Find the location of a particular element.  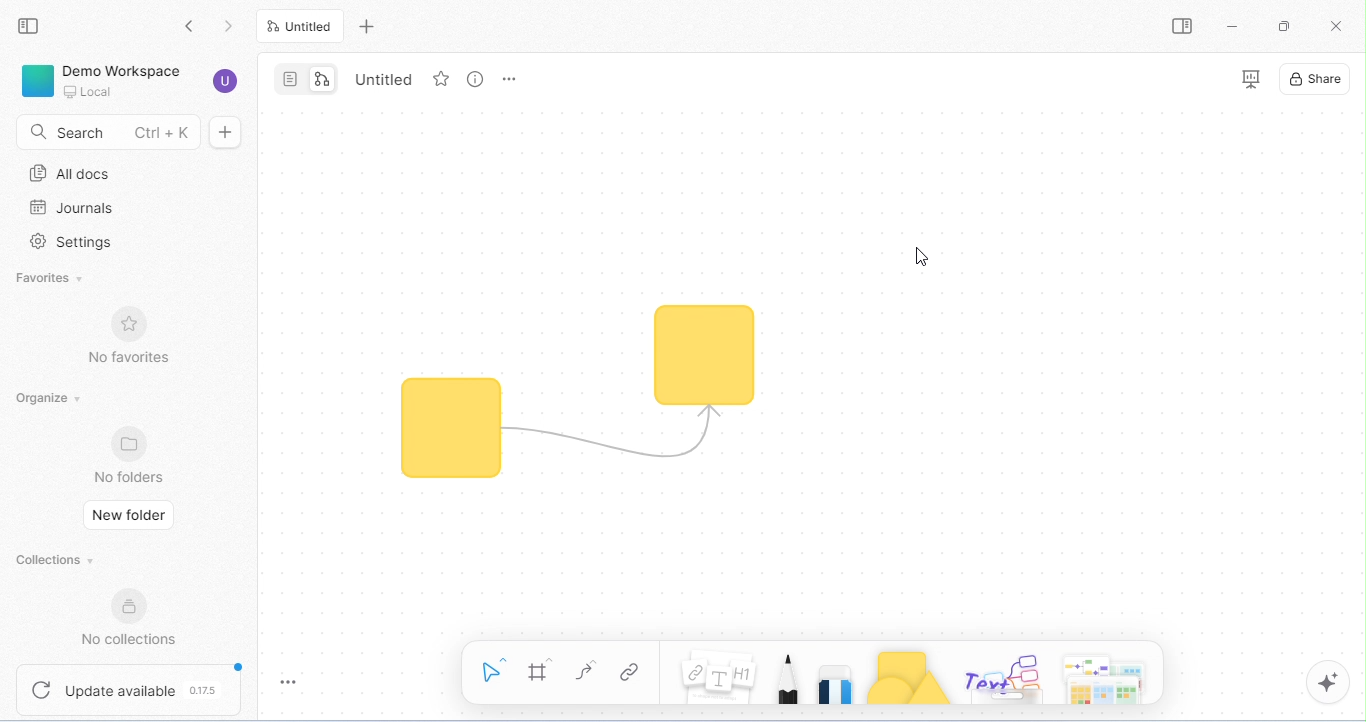

no folders is located at coordinates (132, 455).